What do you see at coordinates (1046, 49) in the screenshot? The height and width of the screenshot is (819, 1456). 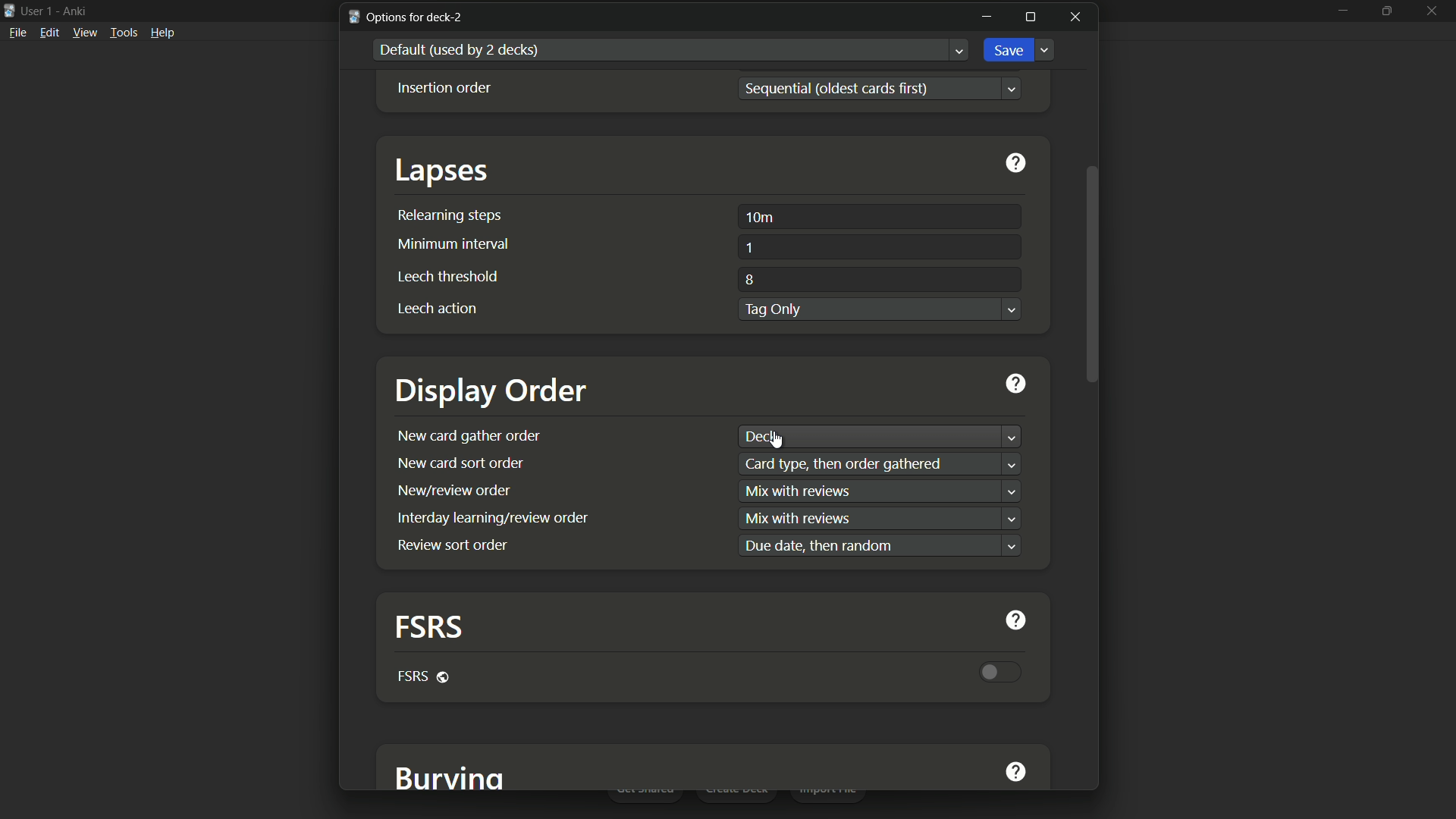 I see `Dropdown` at bounding box center [1046, 49].